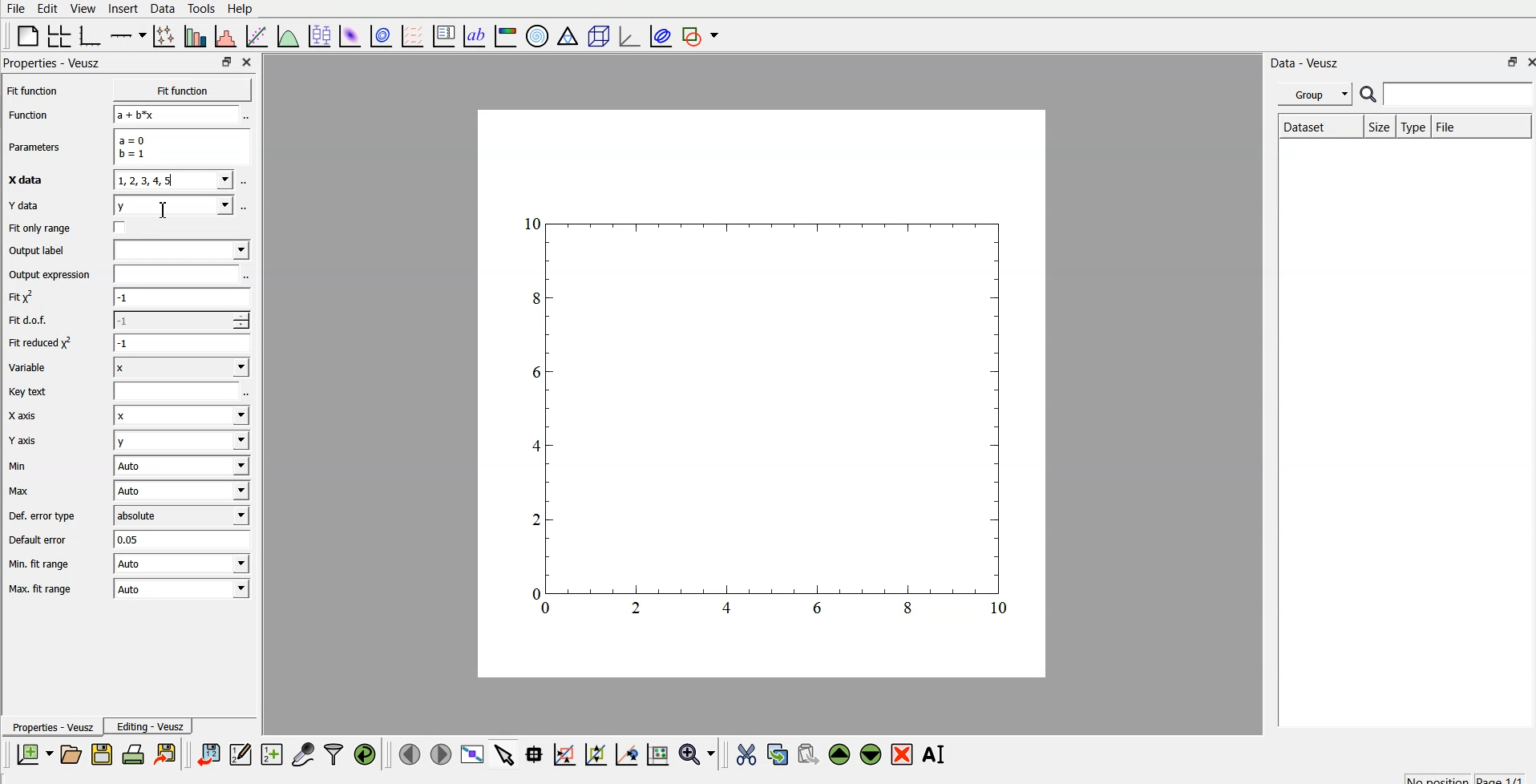 The width and height of the screenshot is (1536, 784). What do you see at coordinates (162, 8) in the screenshot?
I see `data` at bounding box center [162, 8].